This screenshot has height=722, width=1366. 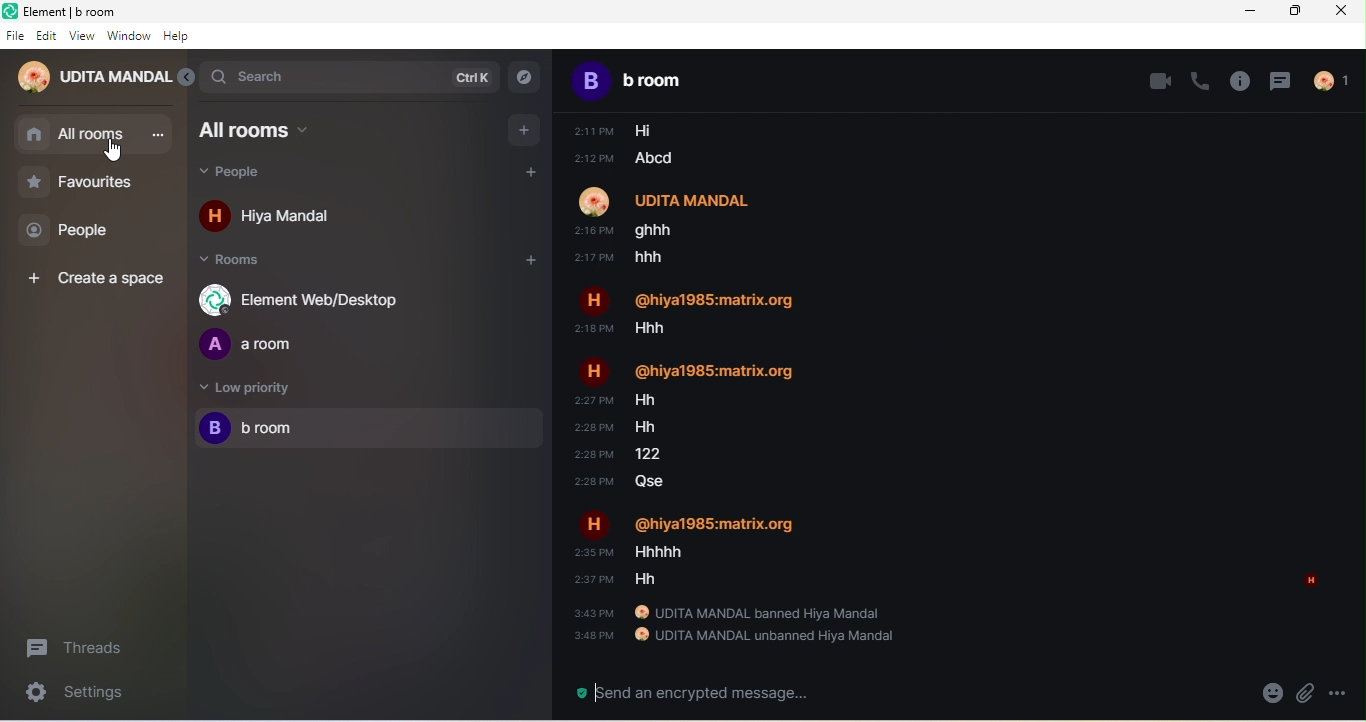 I want to click on help, so click(x=179, y=37).